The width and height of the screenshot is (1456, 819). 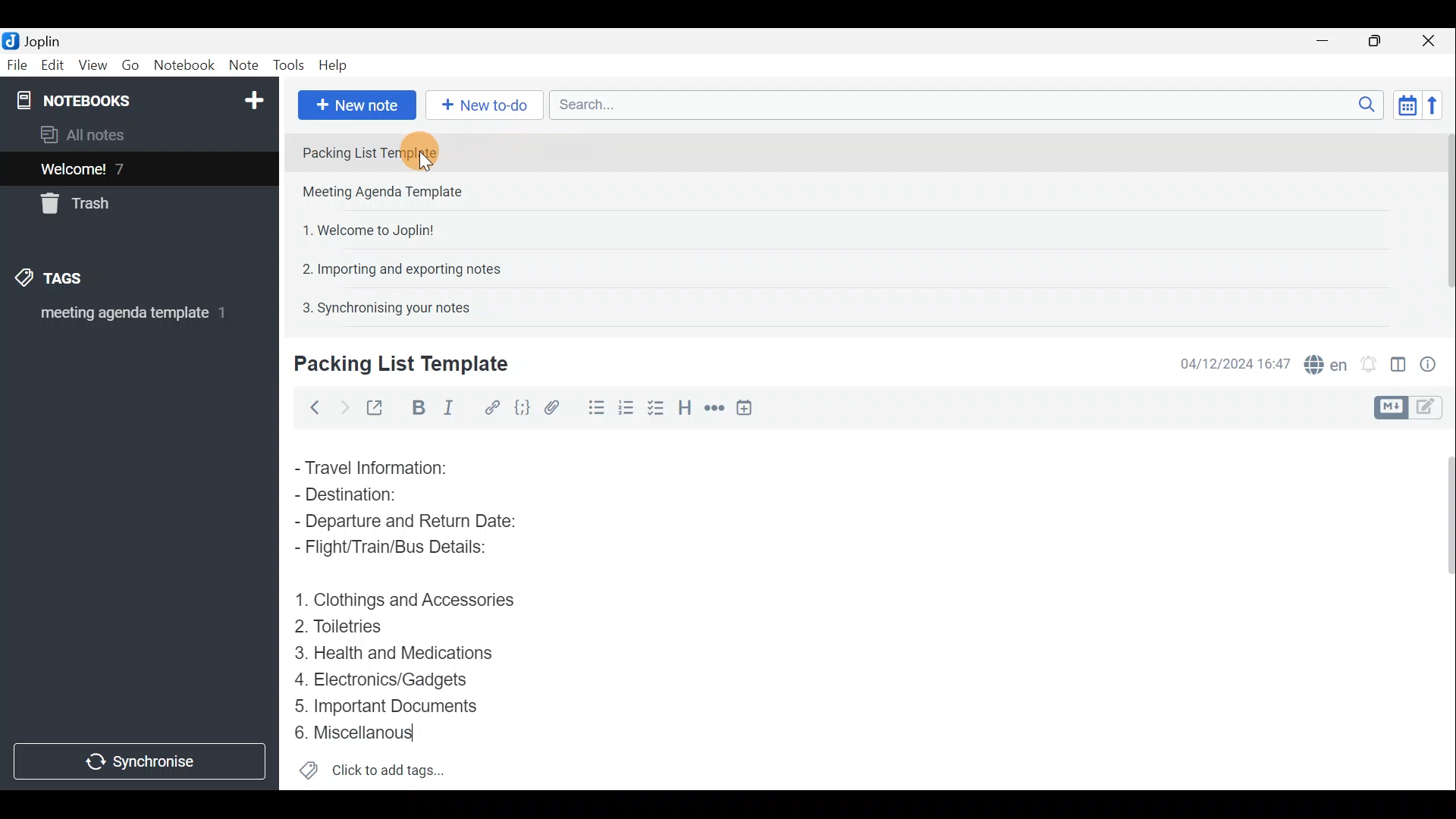 I want to click on File, so click(x=15, y=64).